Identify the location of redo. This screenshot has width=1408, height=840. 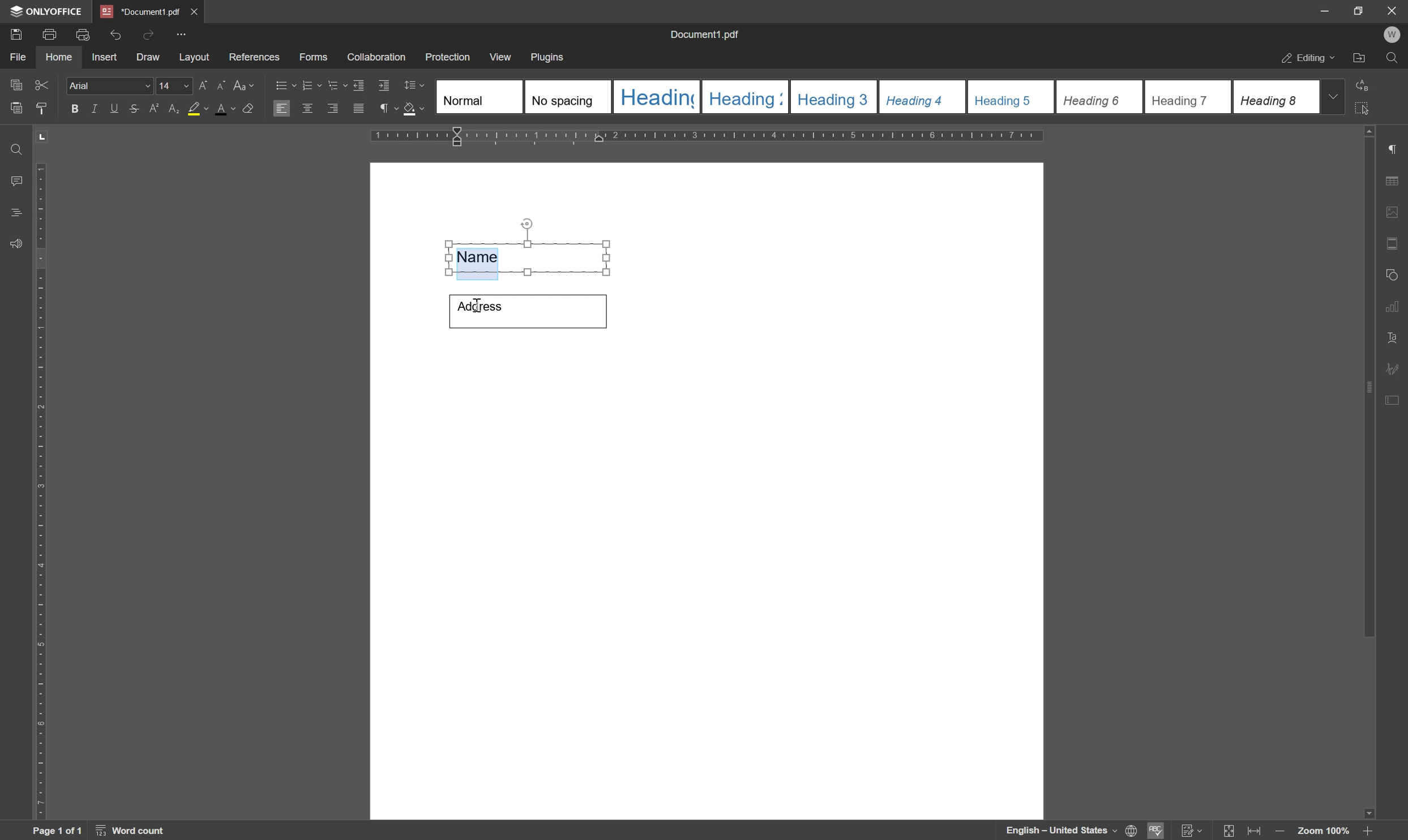
(148, 33).